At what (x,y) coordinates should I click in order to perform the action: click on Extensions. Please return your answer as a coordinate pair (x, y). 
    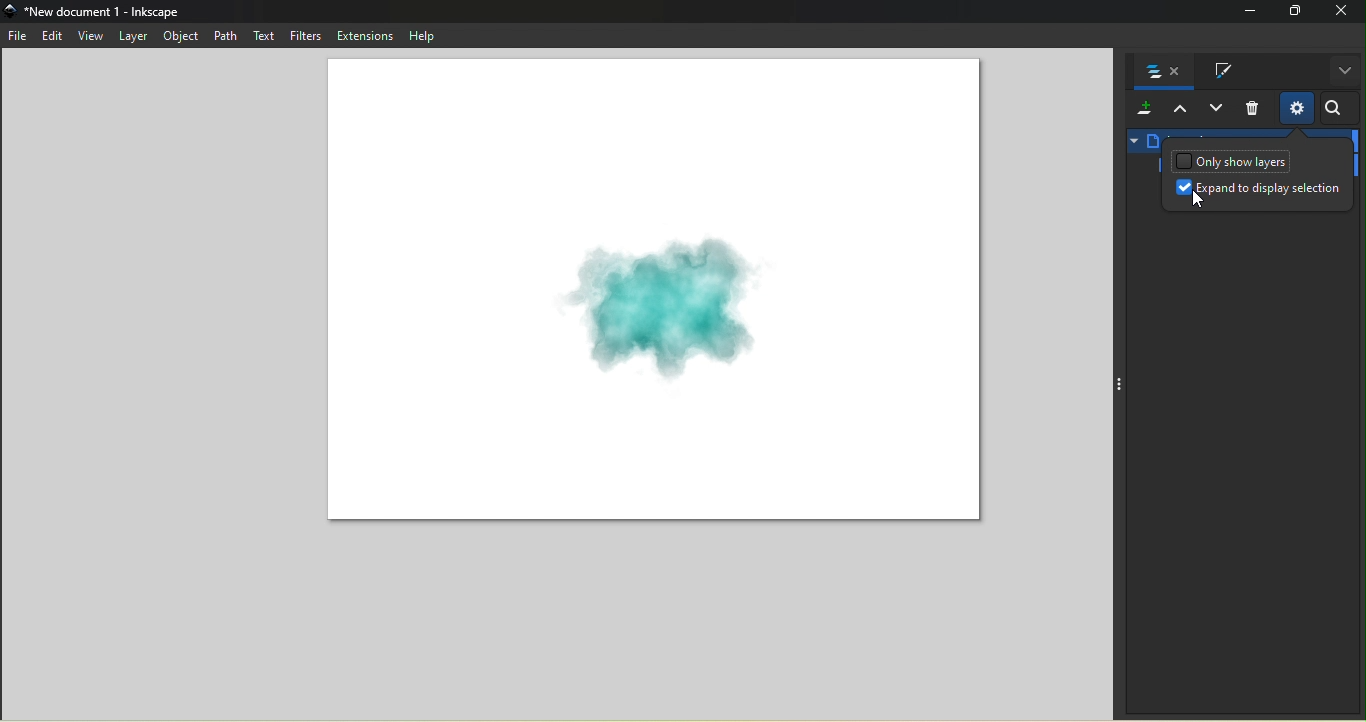
    Looking at the image, I should click on (364, 35).